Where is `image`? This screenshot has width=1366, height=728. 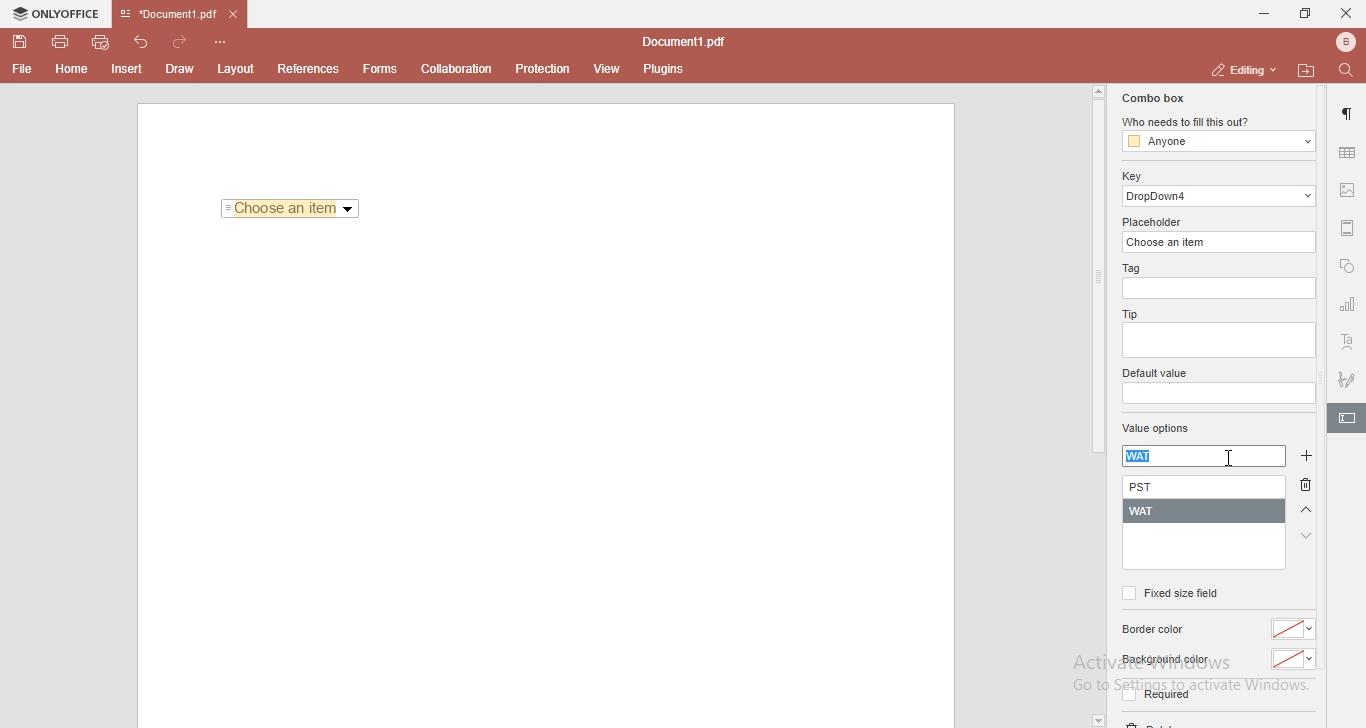
image is located at coordinates (1349, 192).